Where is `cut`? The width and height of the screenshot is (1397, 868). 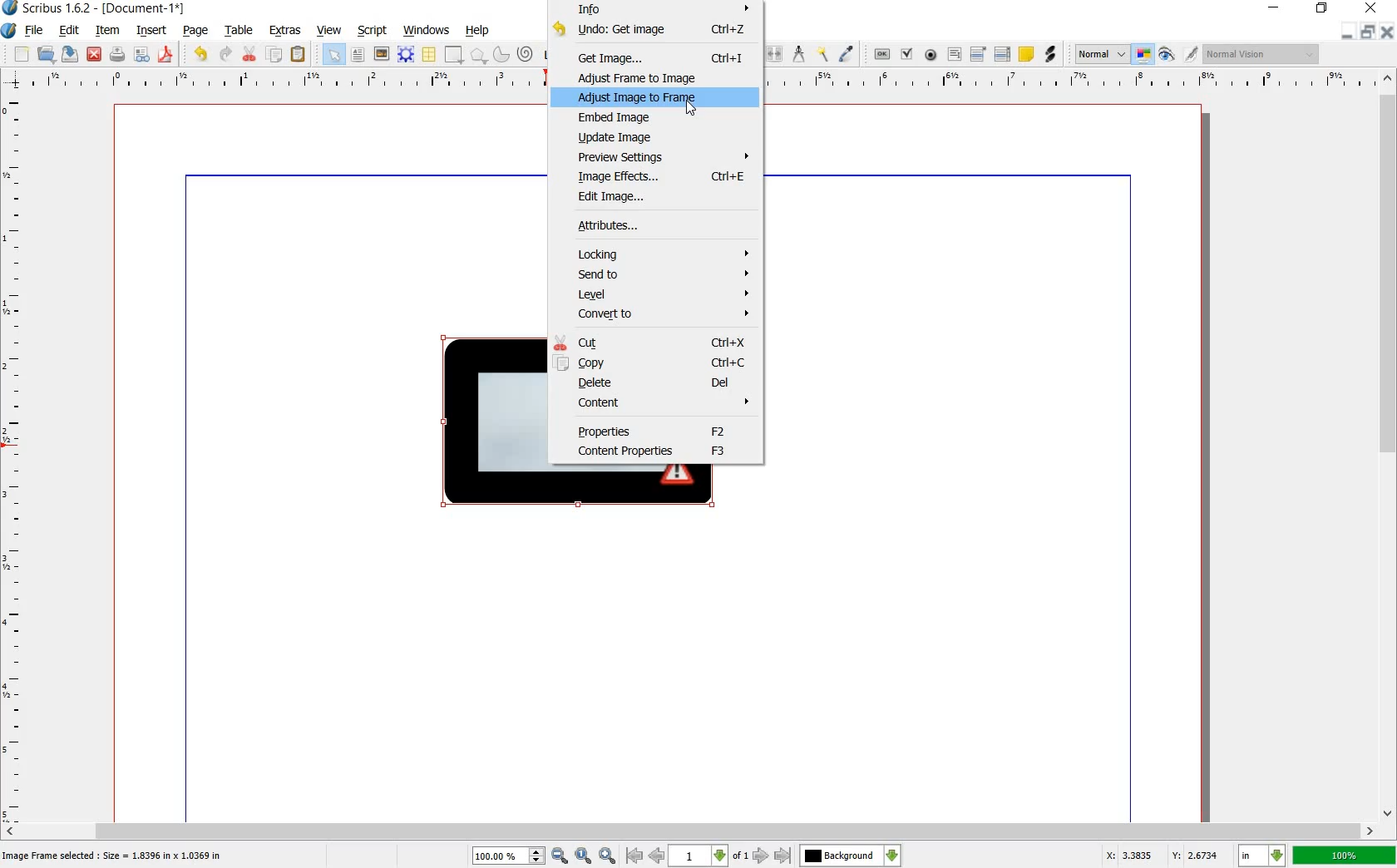
cut is located at coordinates (654, 343).